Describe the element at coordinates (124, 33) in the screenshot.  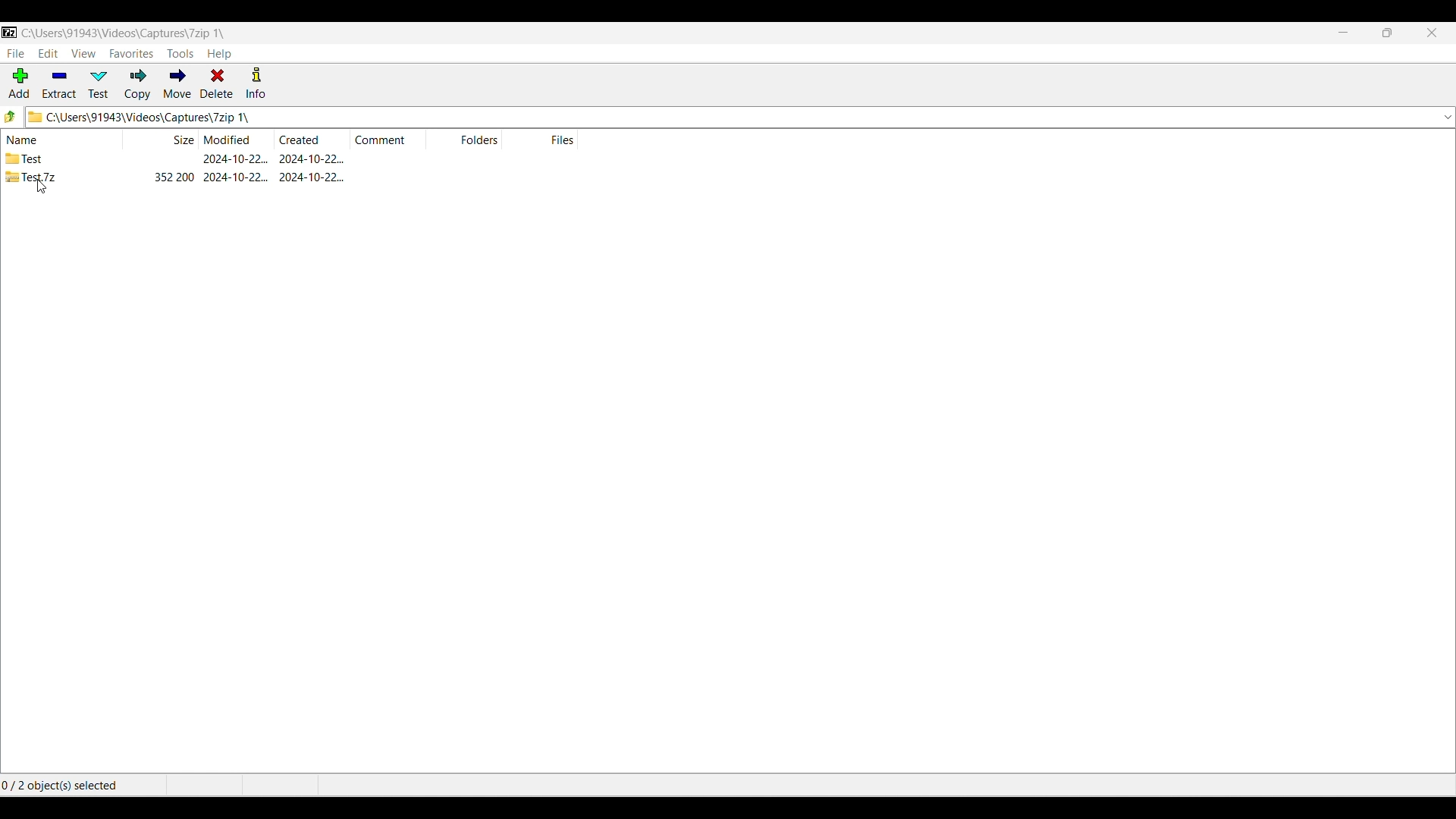
I see `C:\Users\91943\Videos\Capture\7zip 1\` at that location.